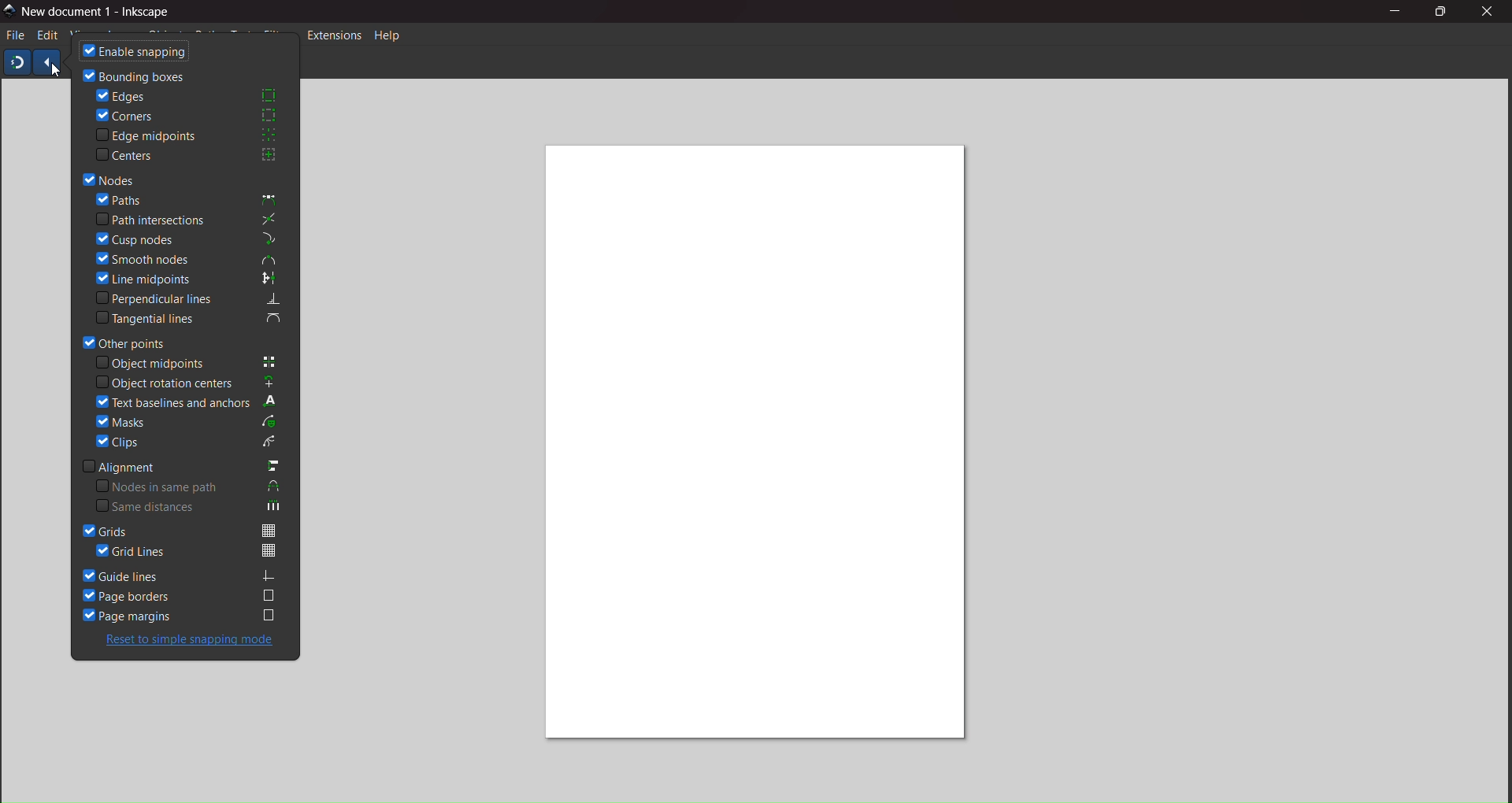 This screenshot has height=803, width=1512. Describe the element at coordinates (335, 37) in the screenshot. I see `Extensions` at that location.